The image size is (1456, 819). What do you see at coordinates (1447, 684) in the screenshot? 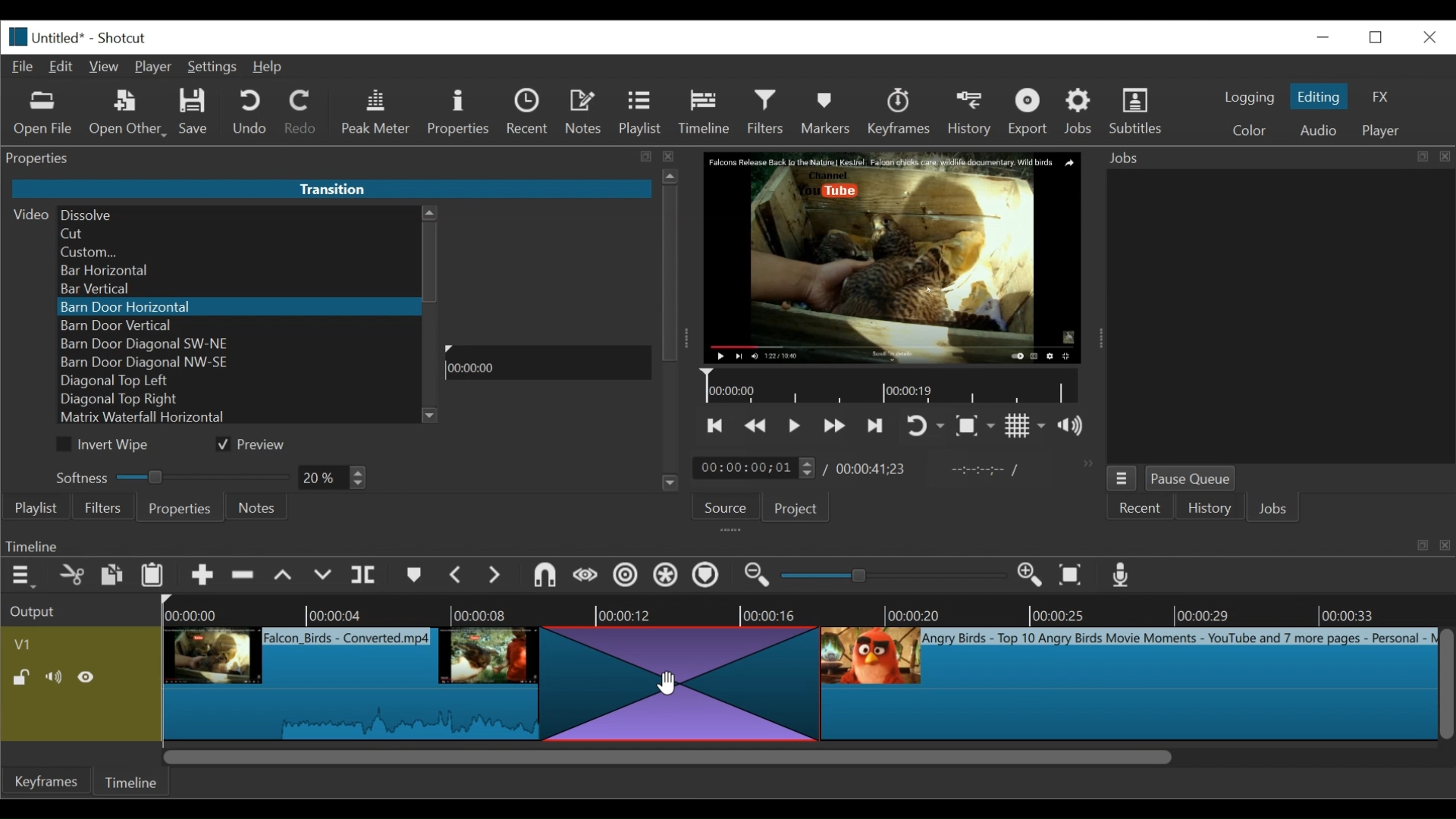
I see `Vertical Scroll bar` at bounding box center [1447, 684].